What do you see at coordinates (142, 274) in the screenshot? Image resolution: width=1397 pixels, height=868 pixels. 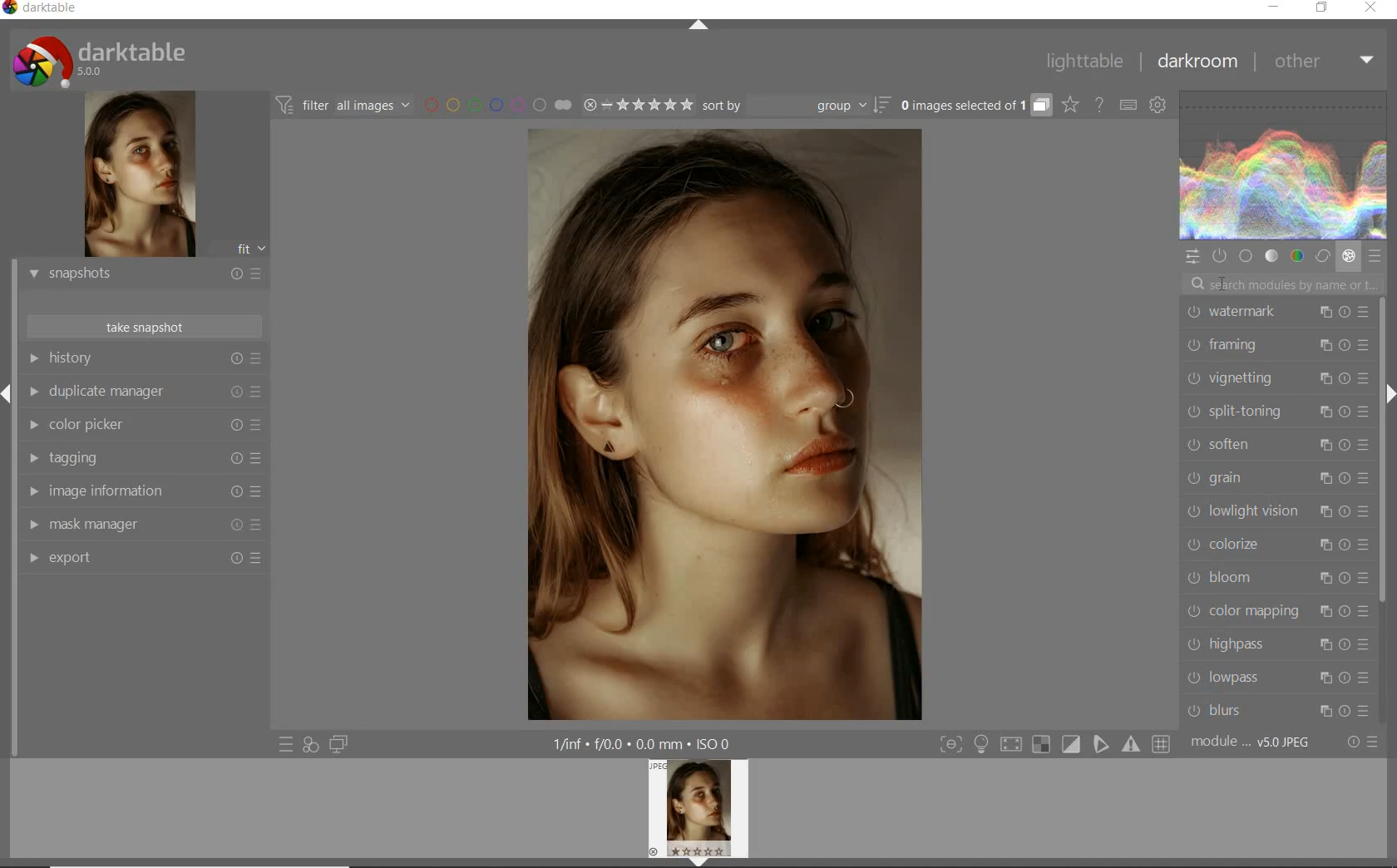 I see `snapshots` at bounding box center [142, 274].